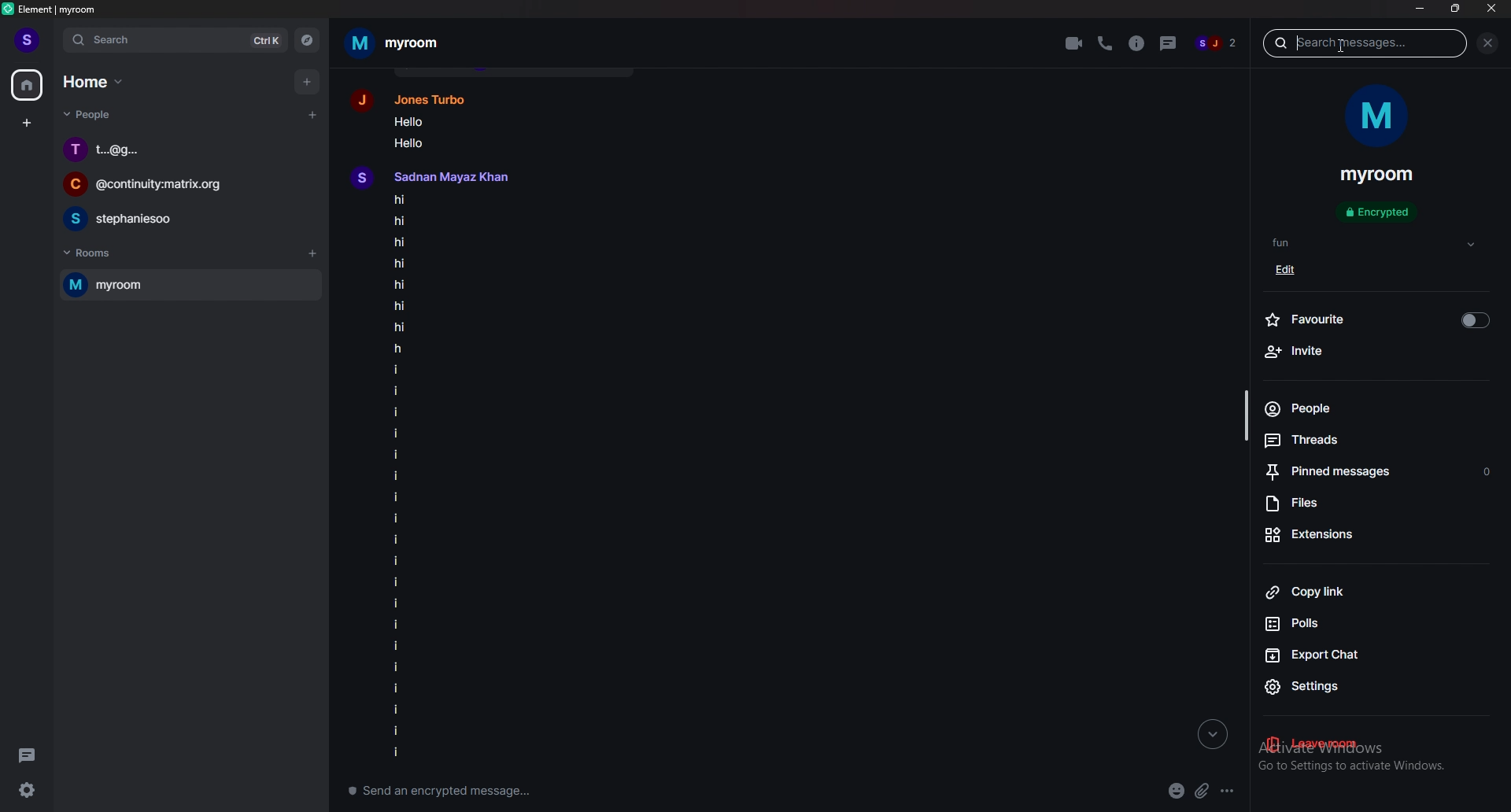 This screenshot has width=1511, height=812. I want to click on voice call, so click(1103, 43).